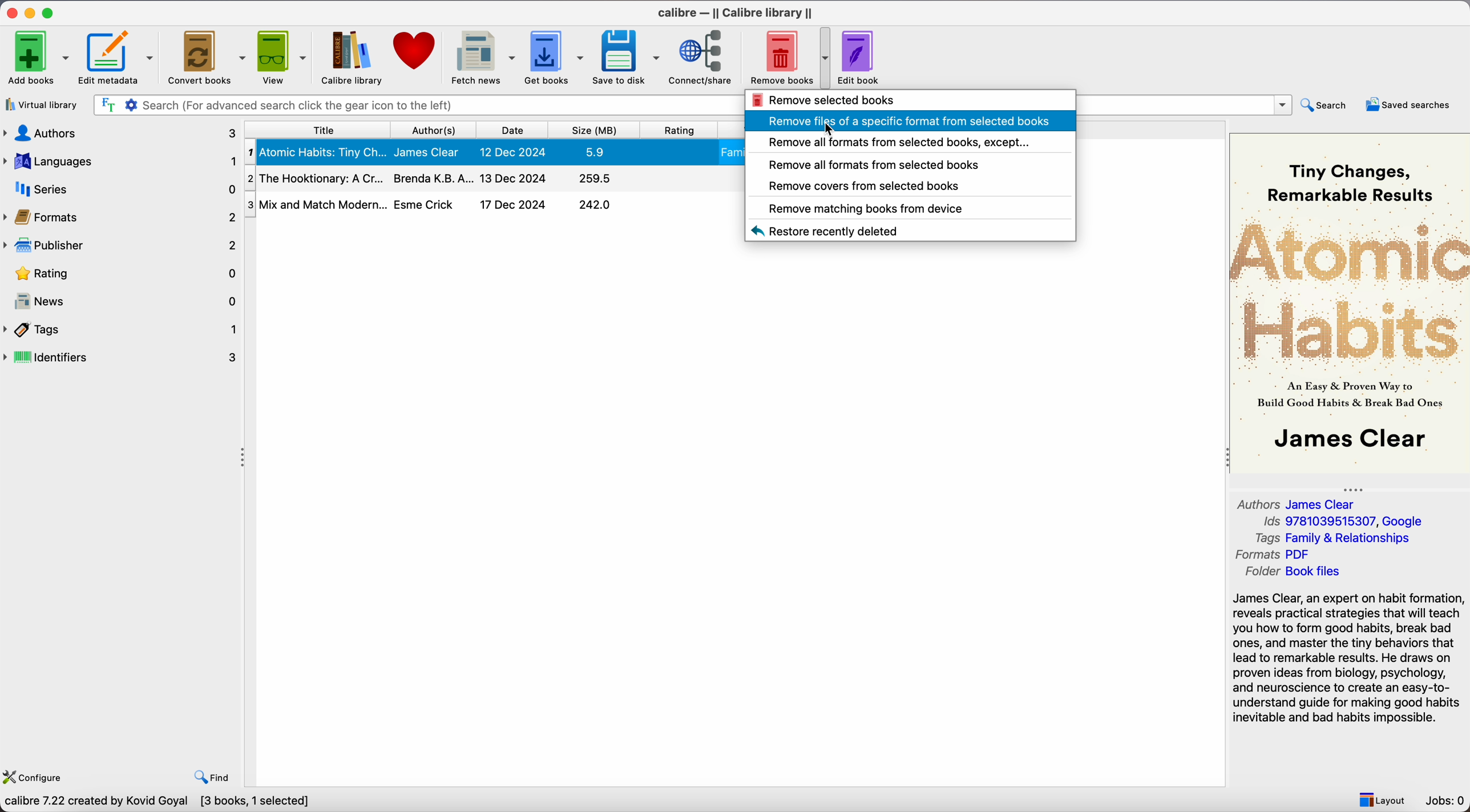 The image size is (1470, 812). What do you see at coordinates (628, 57) in the screenshot?
I see `save to disk` at bounding box center [628, 57].